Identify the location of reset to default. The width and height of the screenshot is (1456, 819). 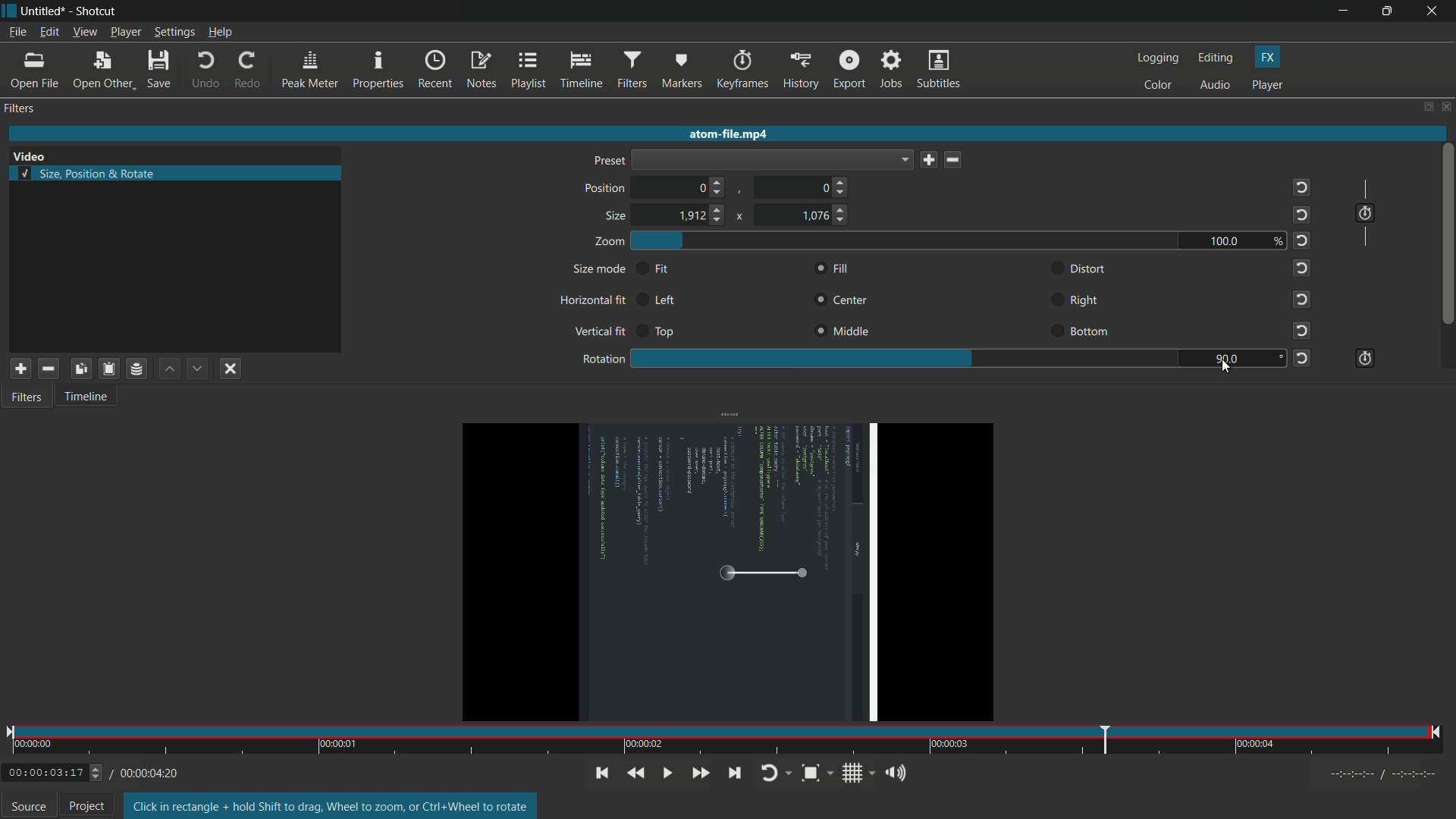
(1302, 266).